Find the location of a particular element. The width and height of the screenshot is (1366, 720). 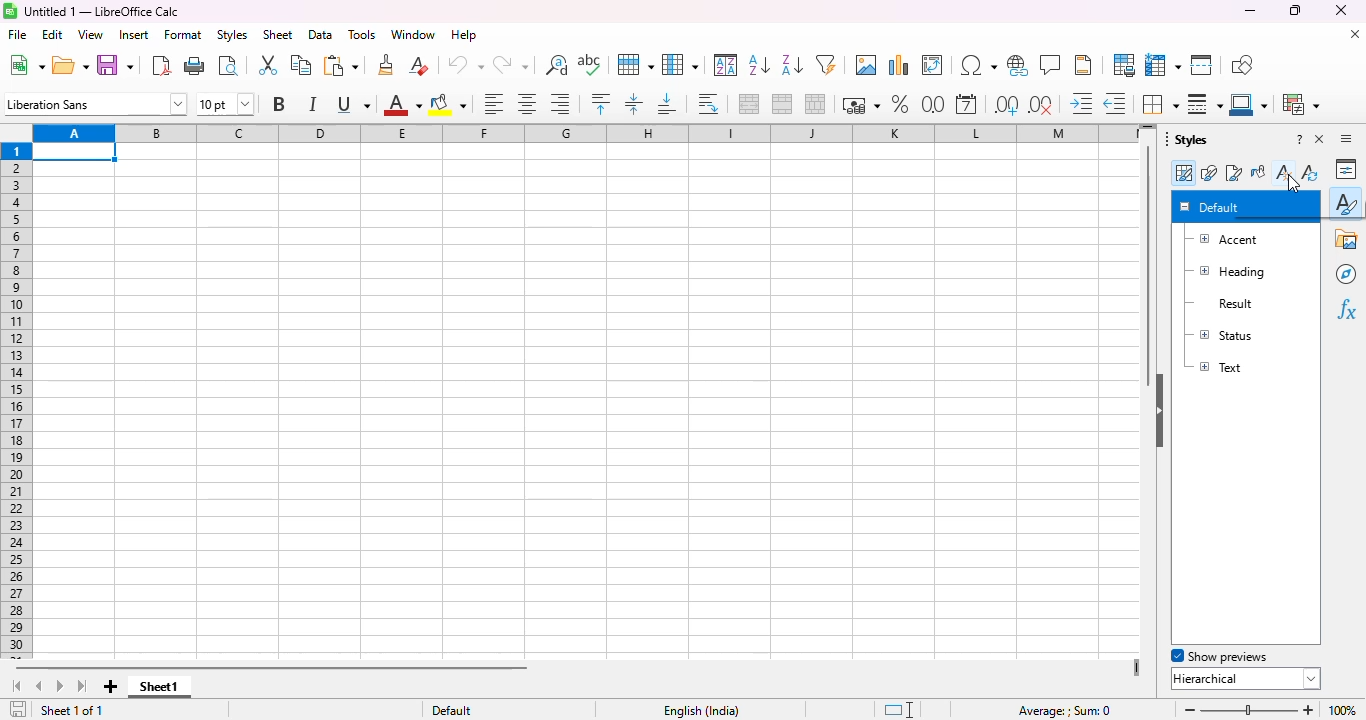

zoom in is located at coordinates (1308, 710).